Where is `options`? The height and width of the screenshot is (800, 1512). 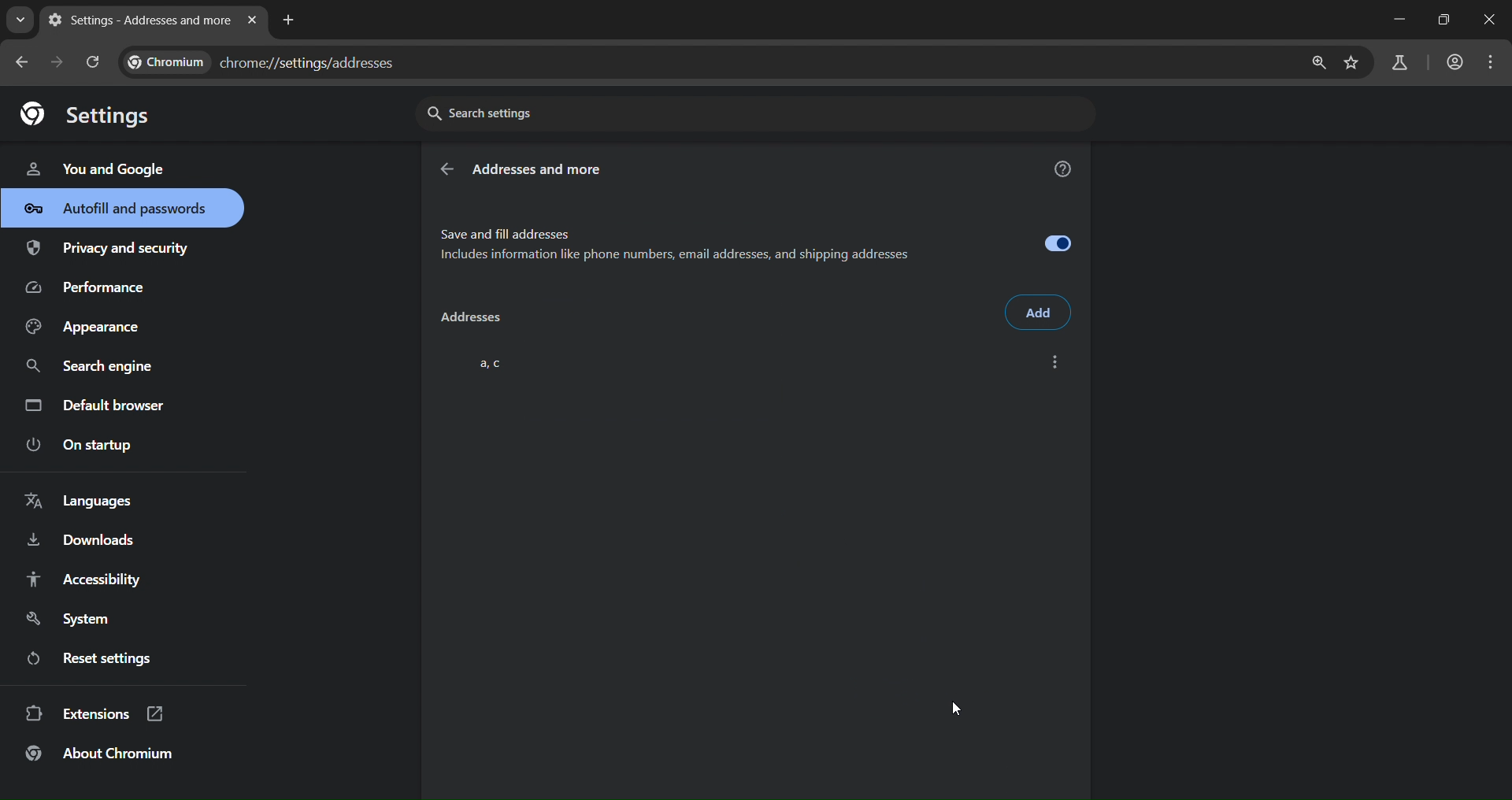 options is located at coordinates (1054, 362).